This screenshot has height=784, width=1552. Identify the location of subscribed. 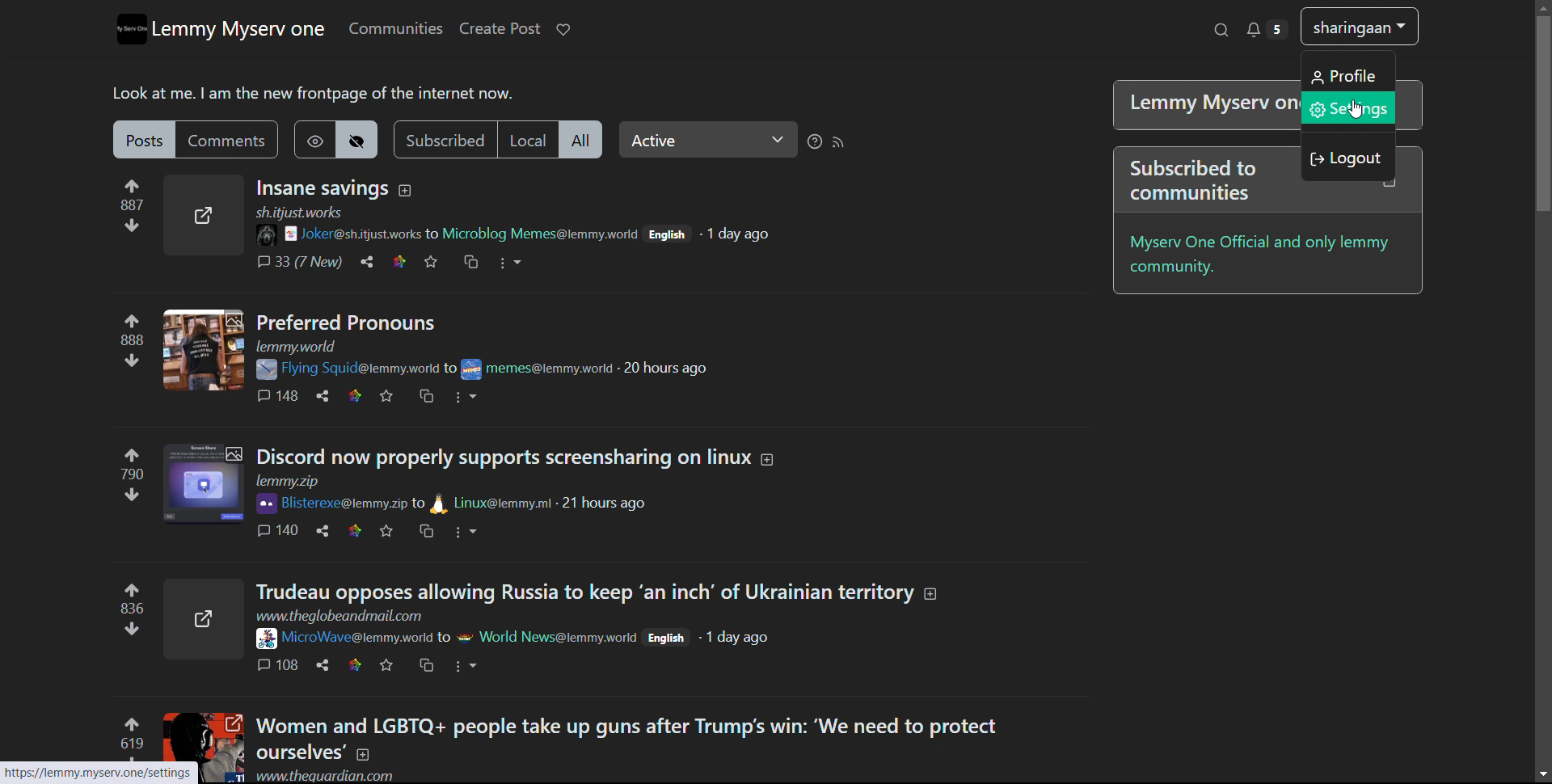
(441, 139).